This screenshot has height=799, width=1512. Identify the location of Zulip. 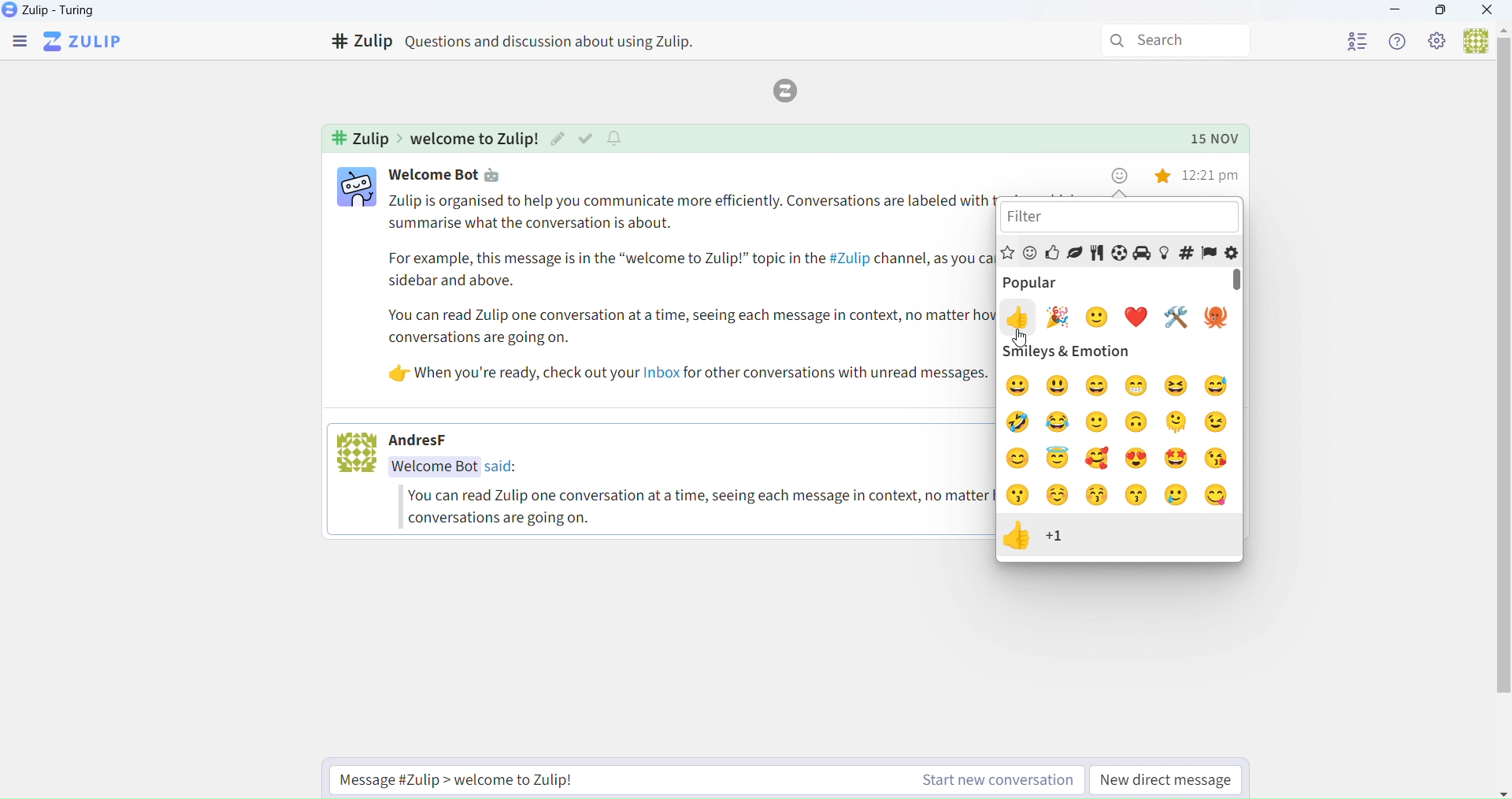
(86, 40).